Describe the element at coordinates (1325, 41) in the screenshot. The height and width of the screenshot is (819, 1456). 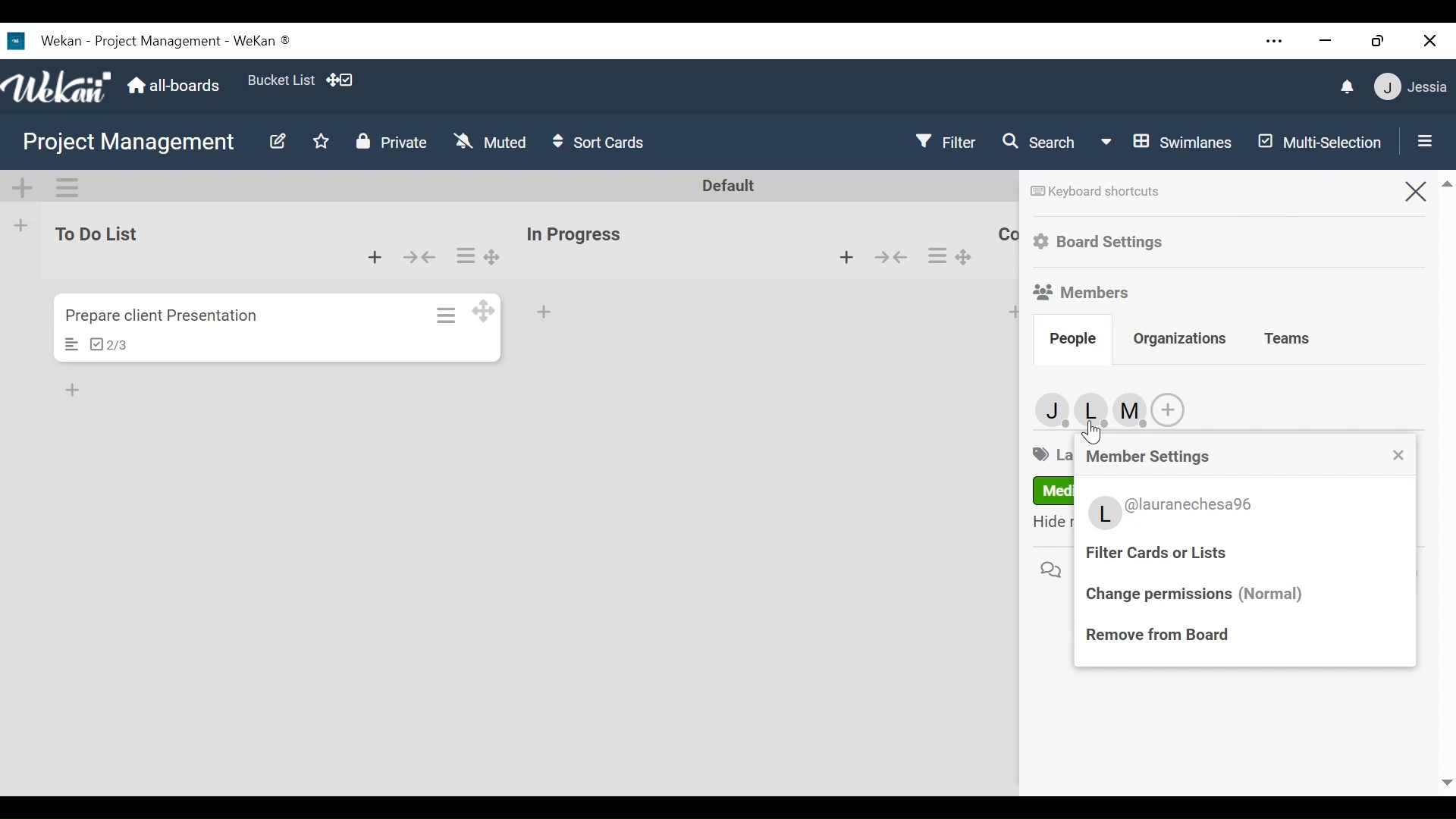
I see `minimie` at that location.